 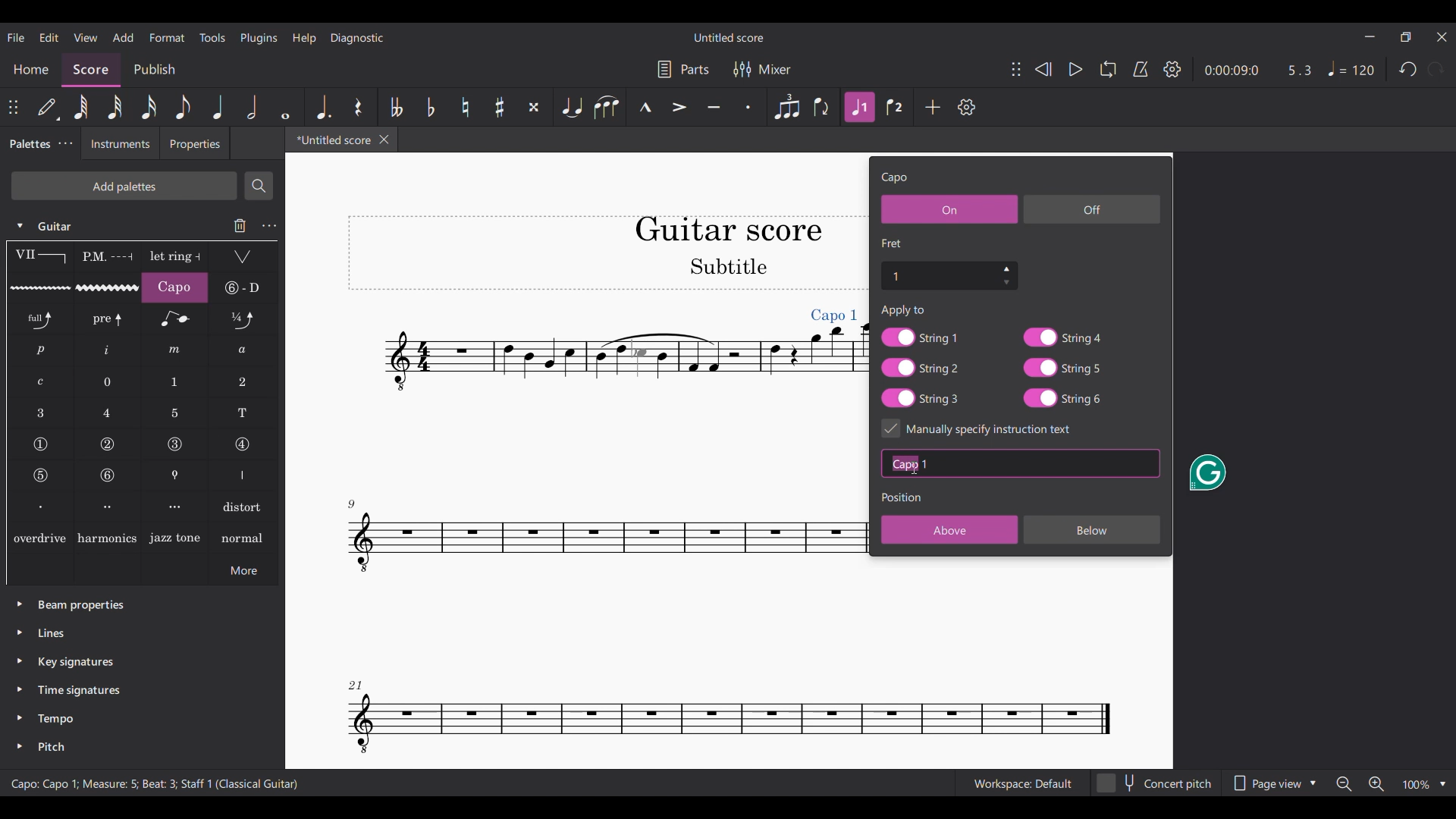 I want to click on Accent, so click(x=679, y=107).